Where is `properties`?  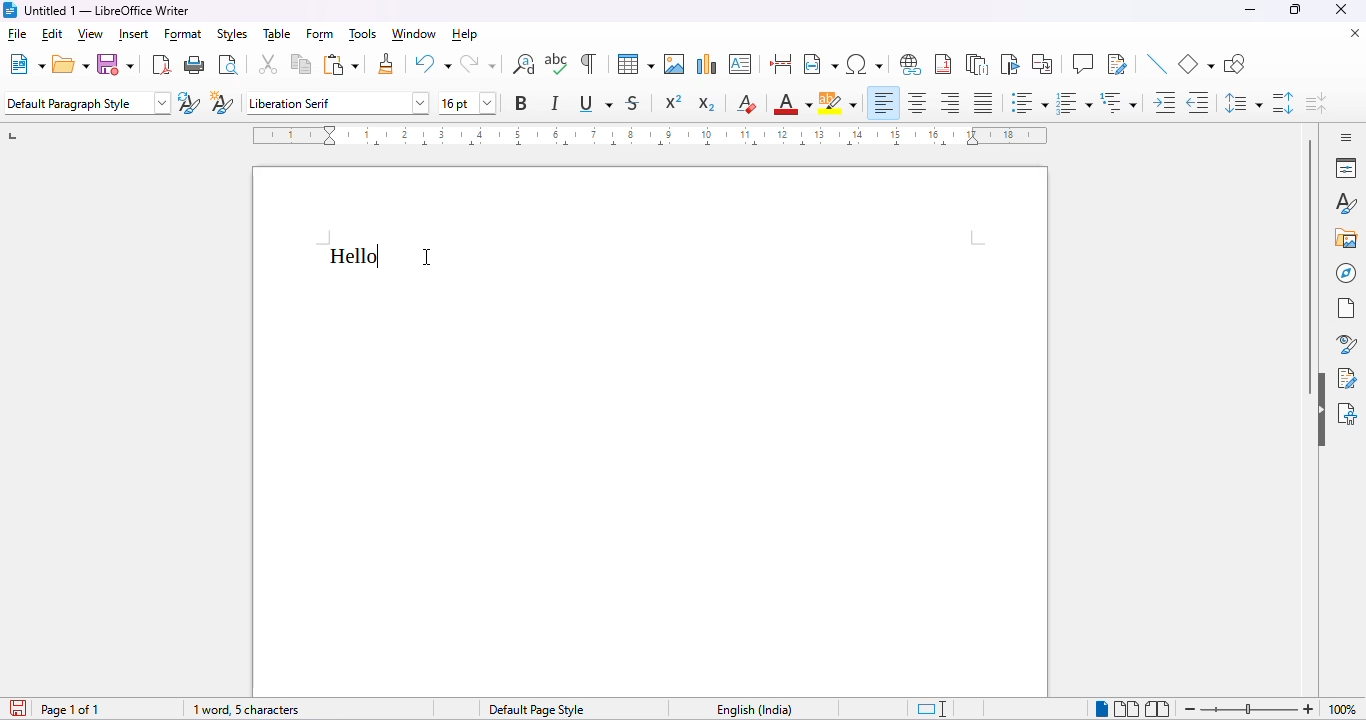
properties is located at coordinates (1346, 168).